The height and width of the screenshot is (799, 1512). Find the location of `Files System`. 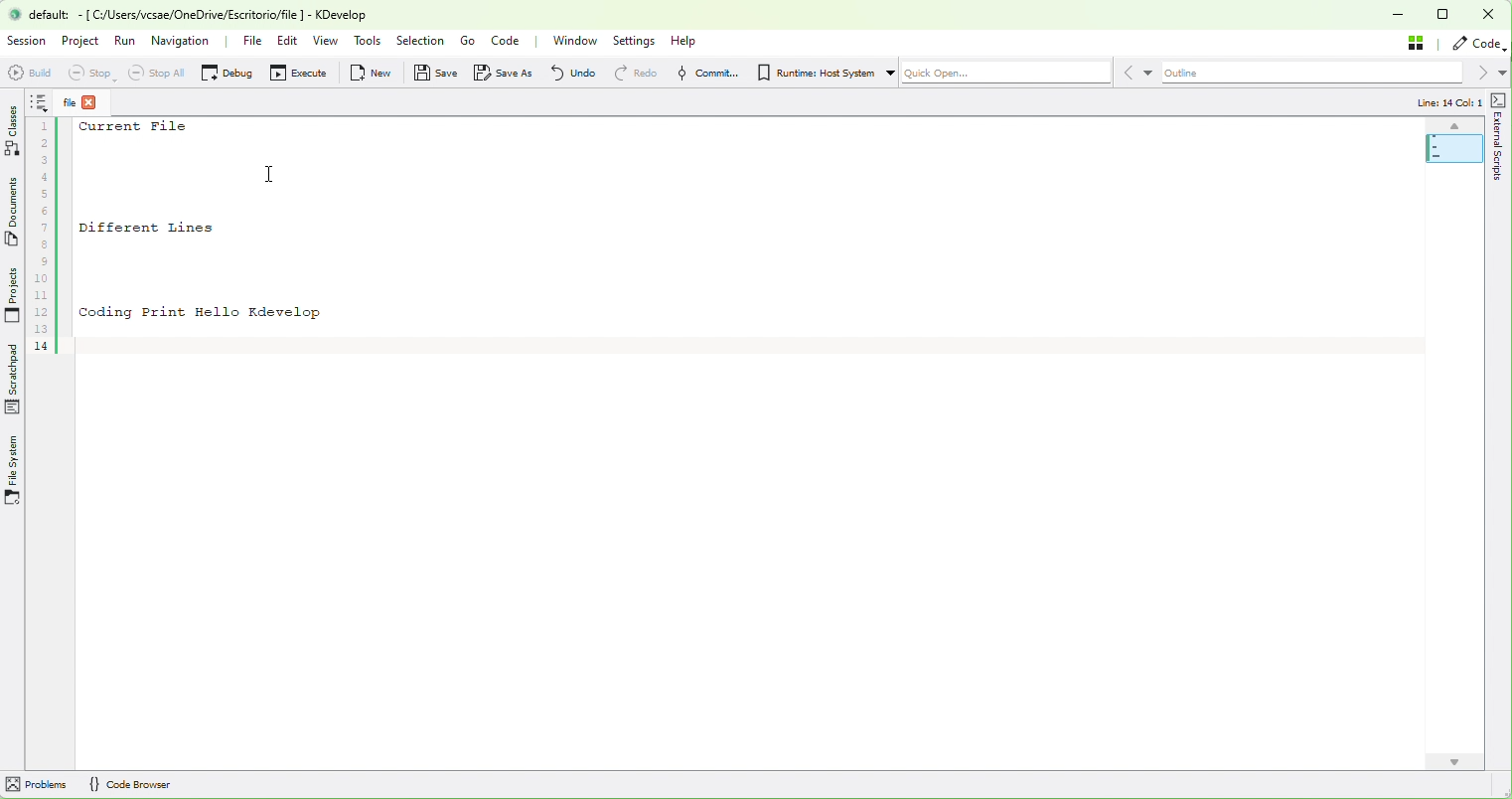

Files System is located at coordinates (14, 472).